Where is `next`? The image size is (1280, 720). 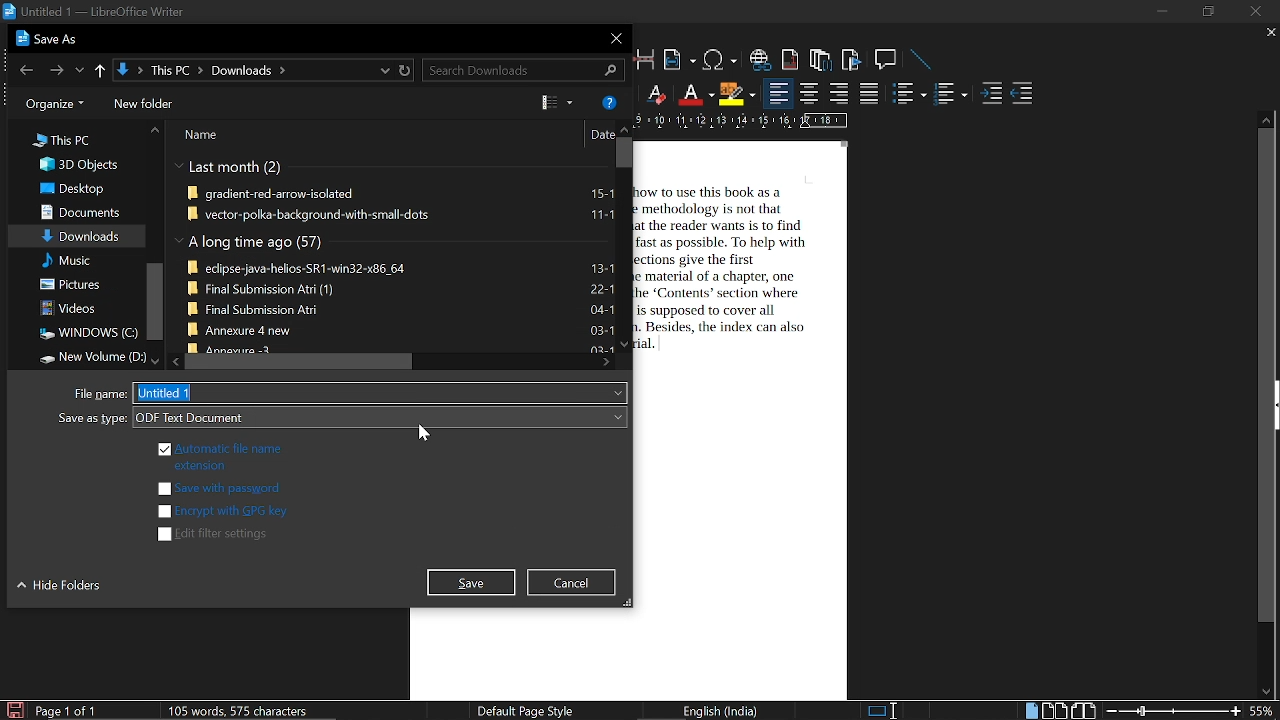 next is located at coordinates (54, 68).